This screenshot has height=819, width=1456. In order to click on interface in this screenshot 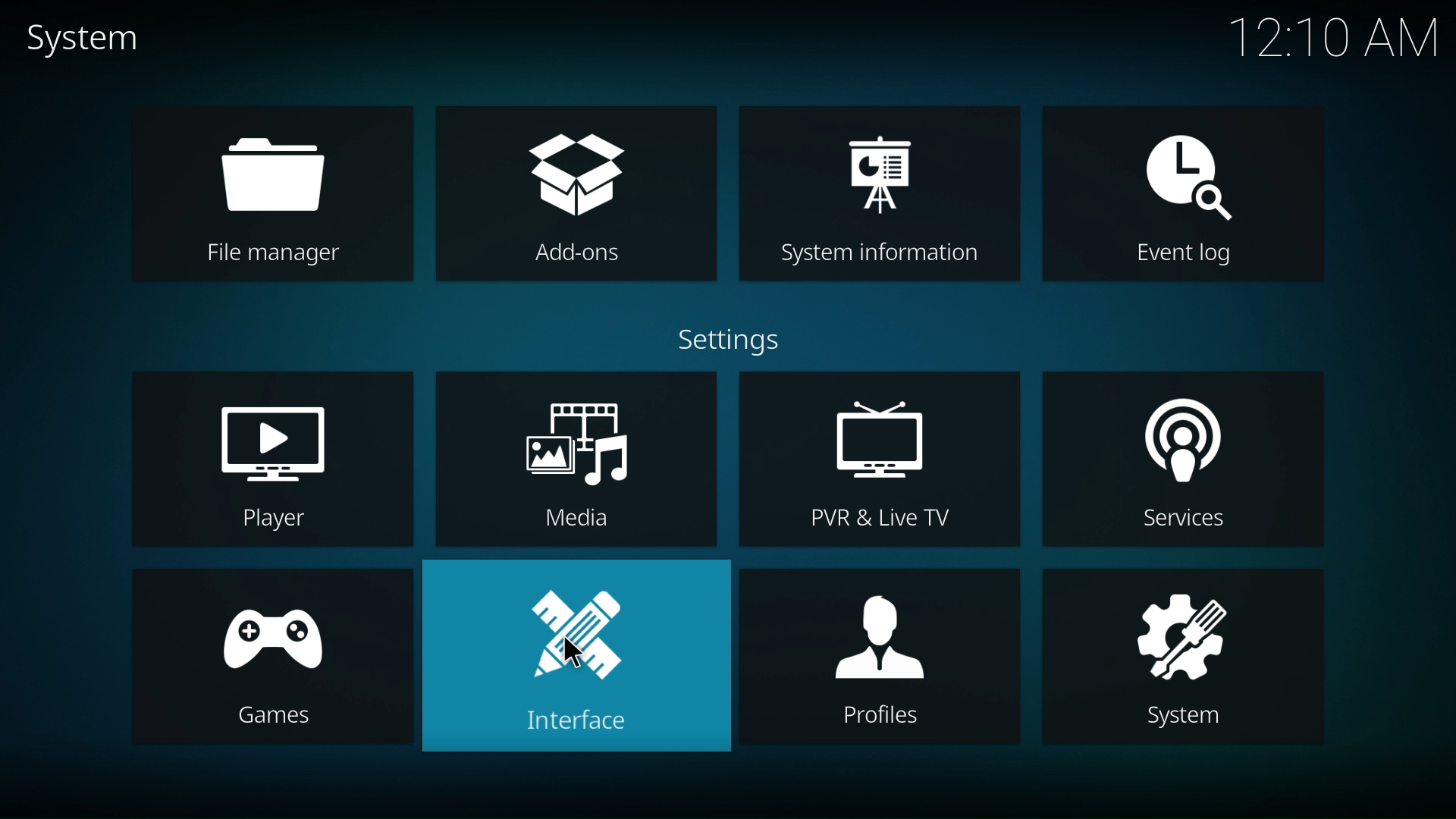, I will do `click(570, 661)`.